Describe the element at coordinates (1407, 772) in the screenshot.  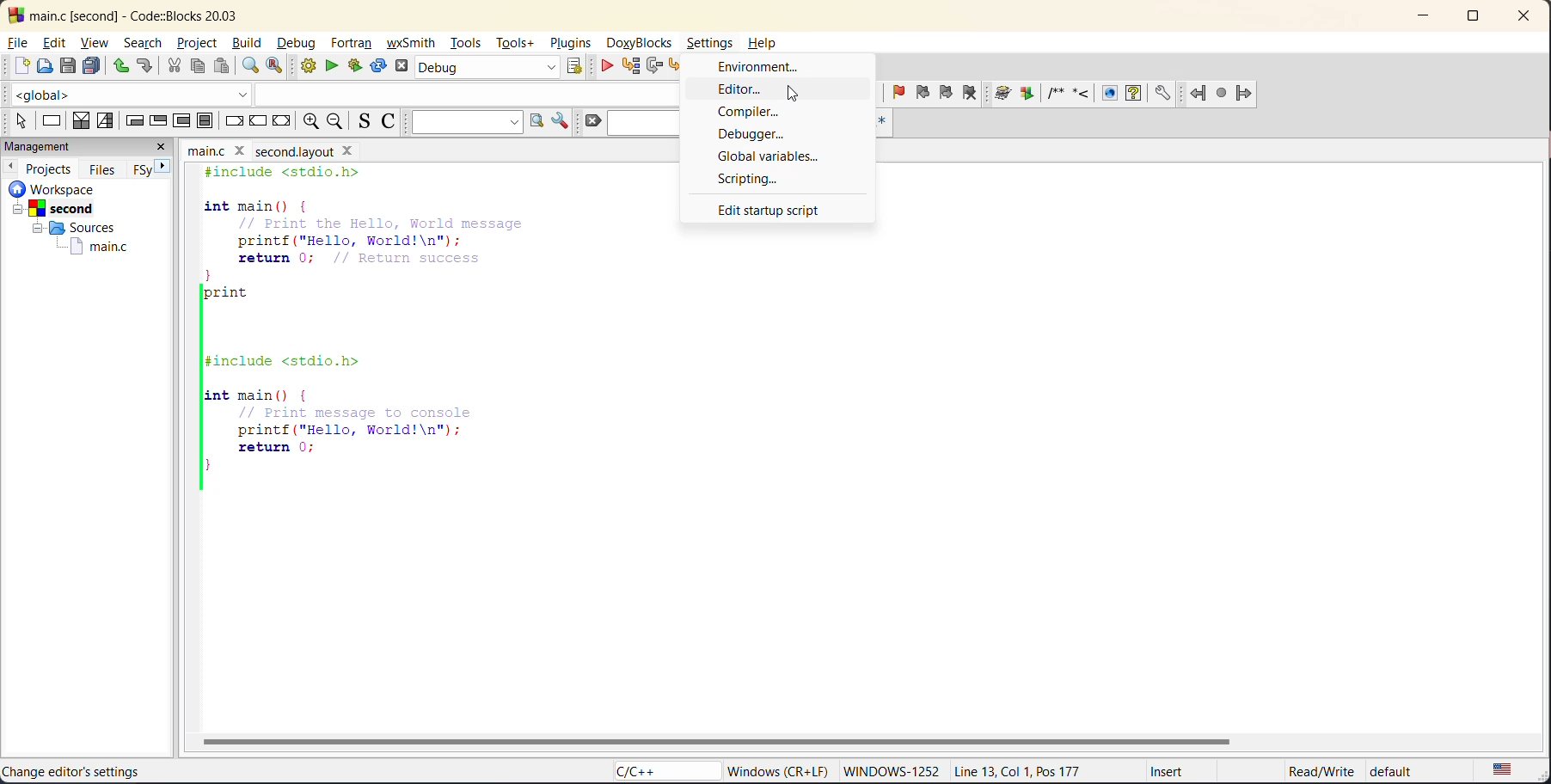
I see `default` at that location.